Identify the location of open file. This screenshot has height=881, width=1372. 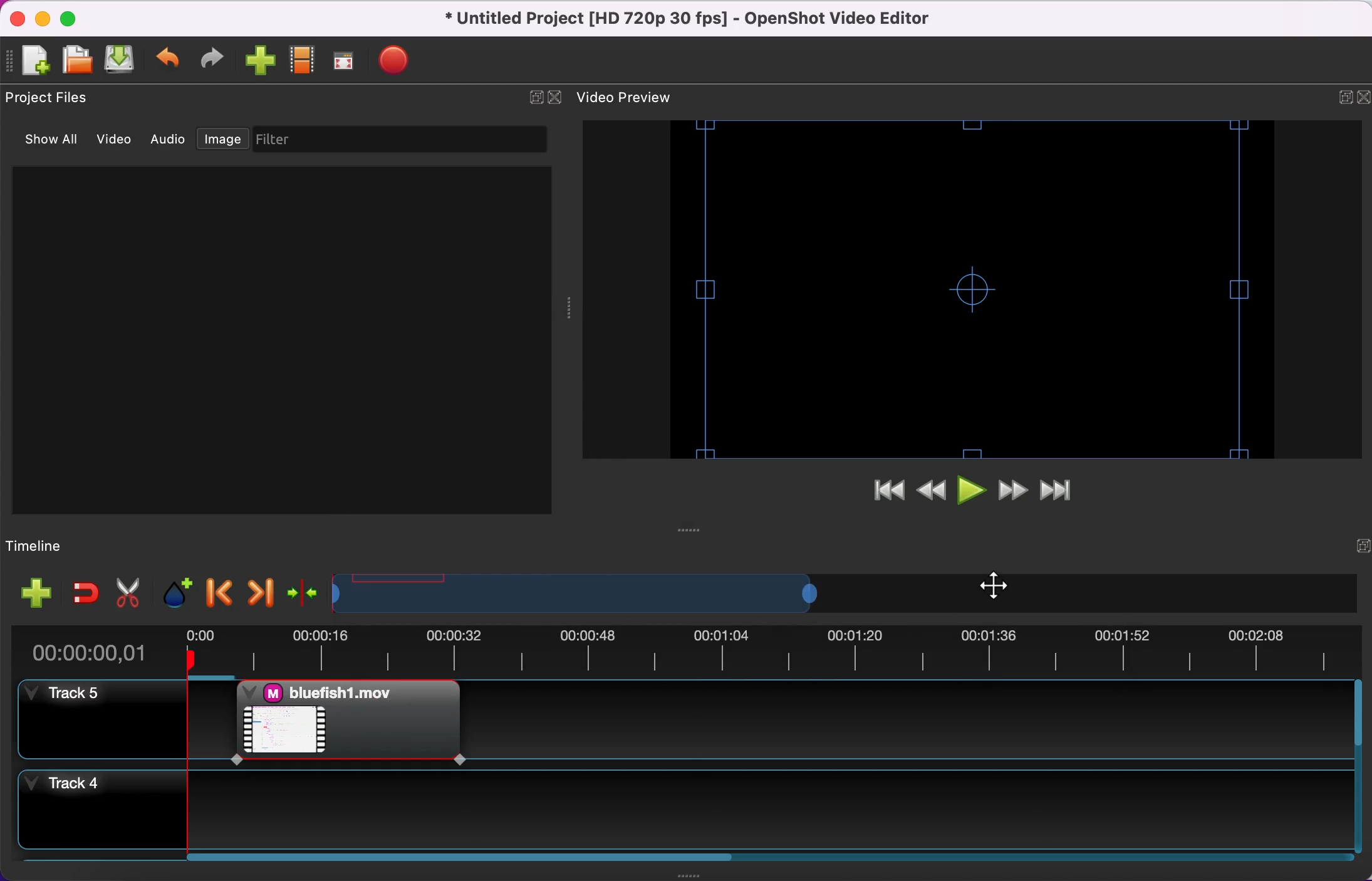
(78, 61).